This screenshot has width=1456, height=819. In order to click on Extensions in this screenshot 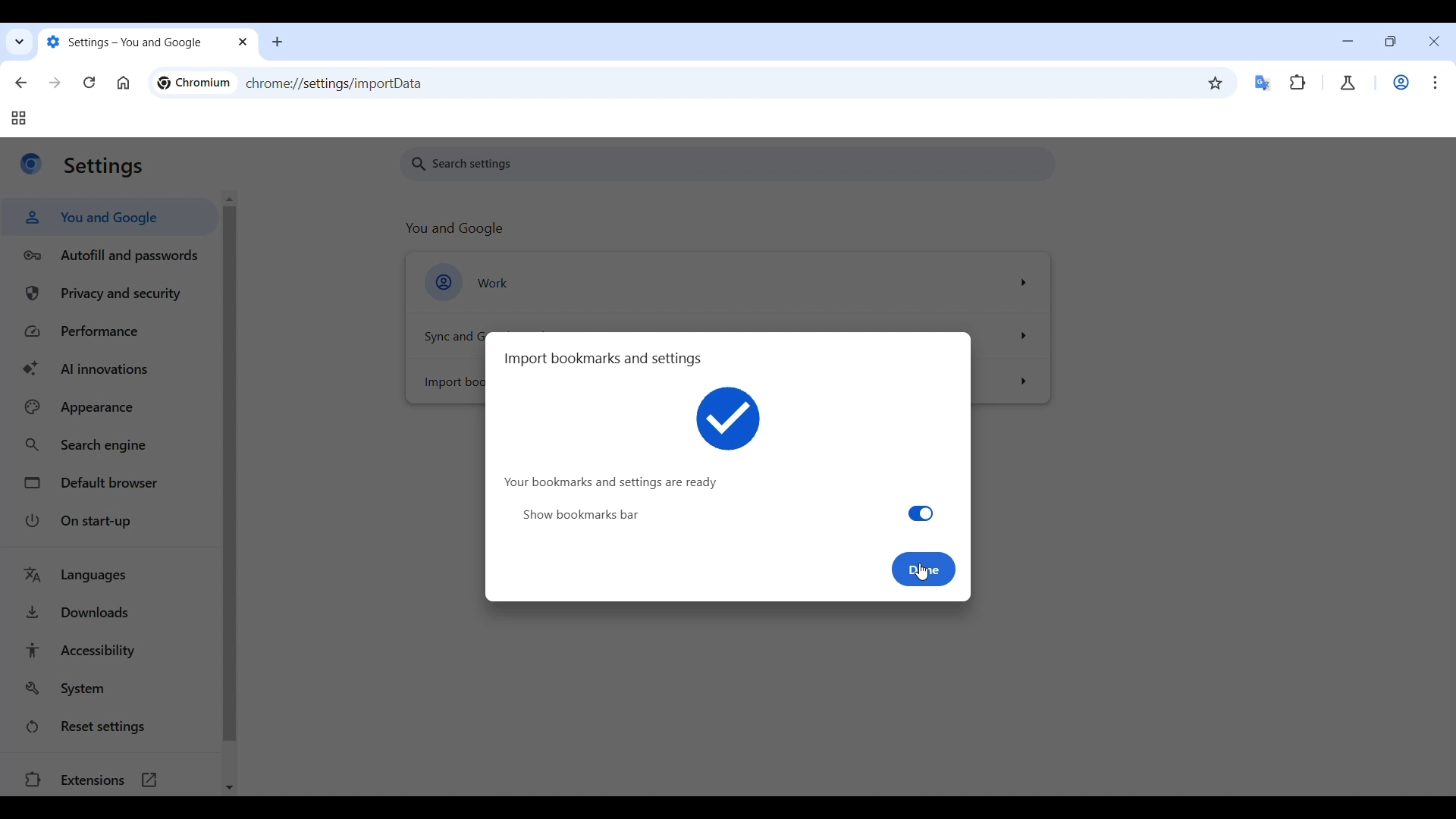, I will do `click(111, 779)`.